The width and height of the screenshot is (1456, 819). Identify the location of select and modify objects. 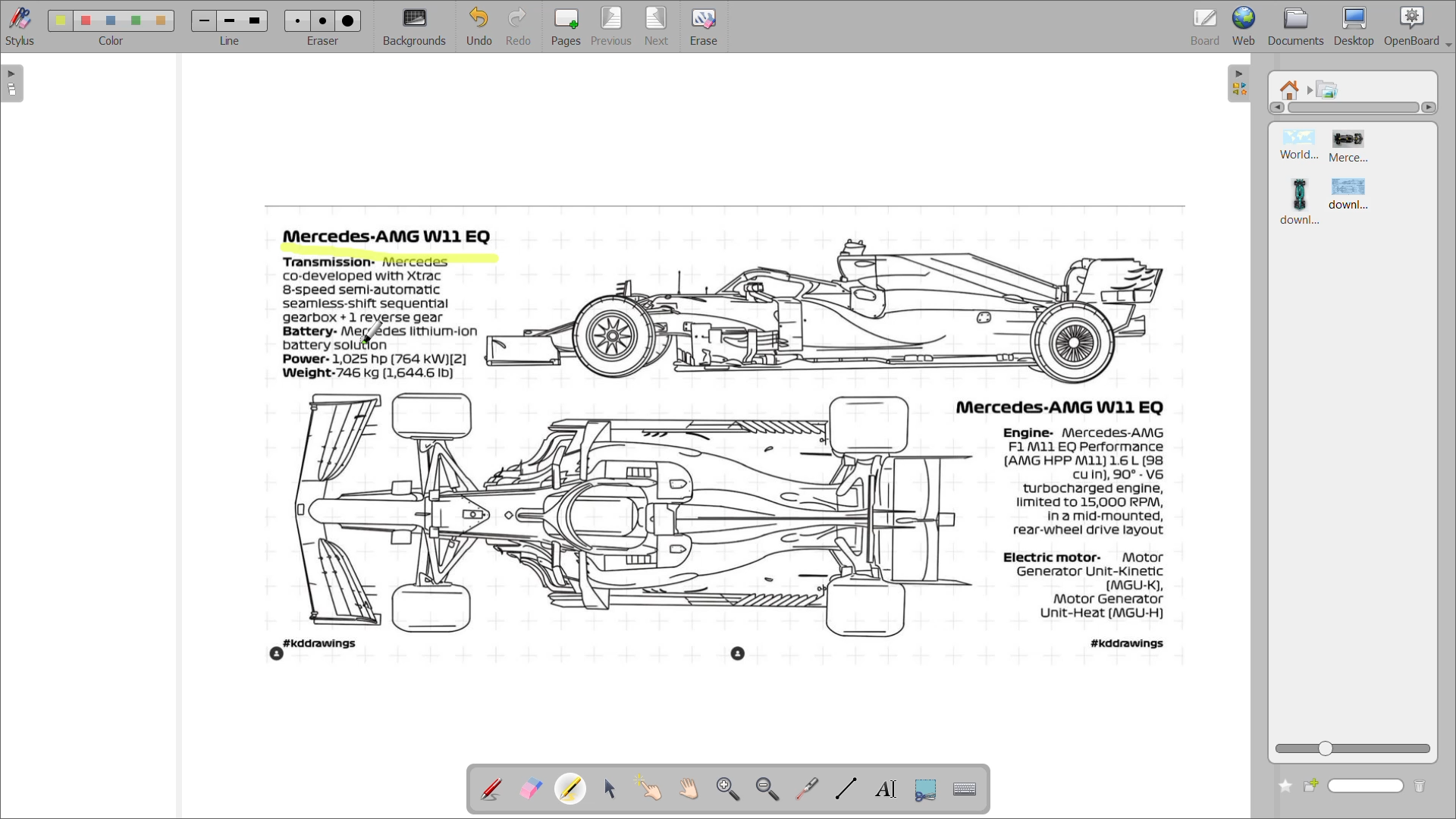
(615, 789).